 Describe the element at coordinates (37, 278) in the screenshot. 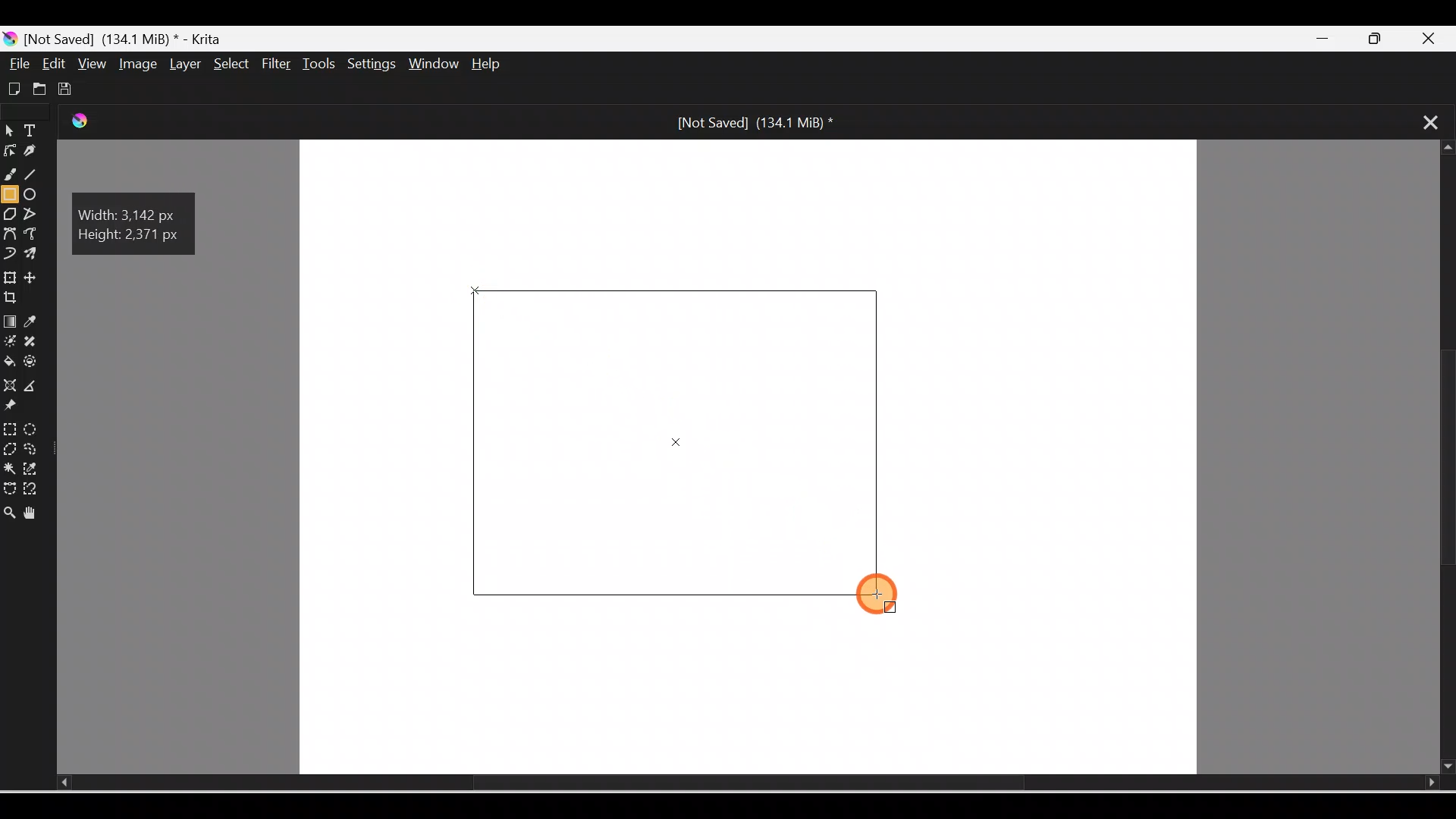

I see `Move a layer` at that location.